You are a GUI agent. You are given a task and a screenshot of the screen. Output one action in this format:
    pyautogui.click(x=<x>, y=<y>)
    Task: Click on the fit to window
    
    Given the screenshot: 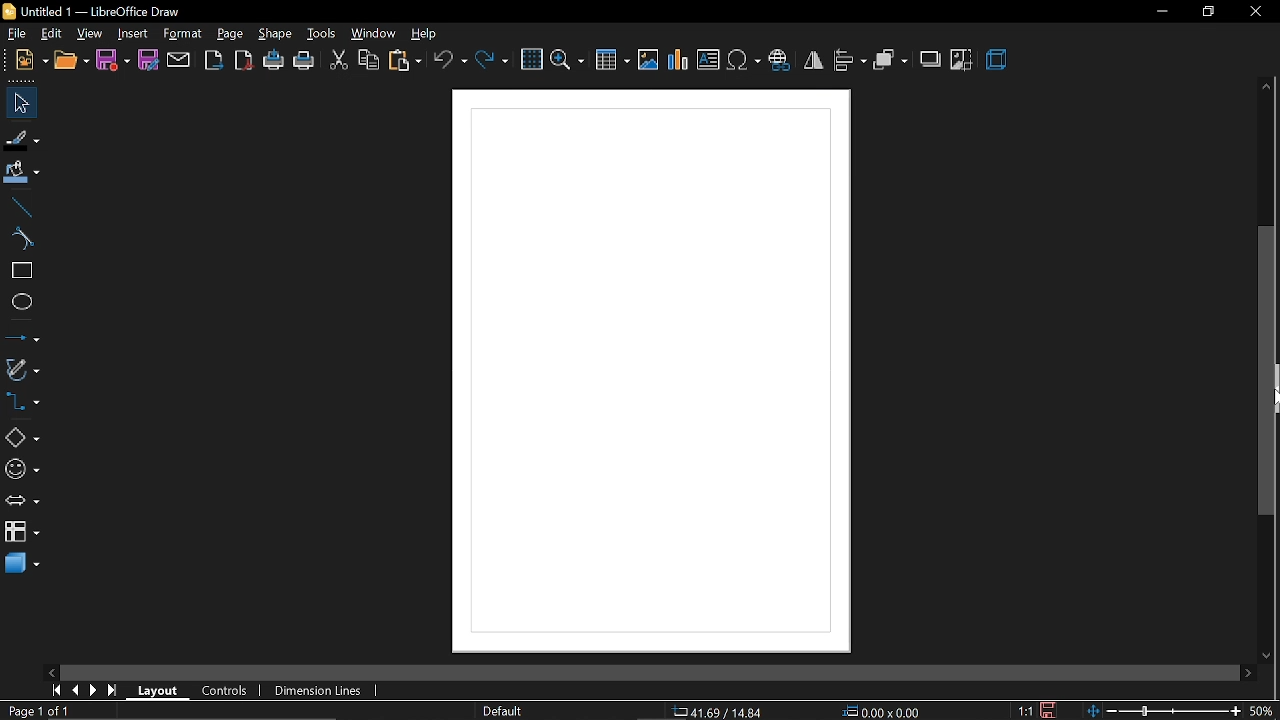 What is the action you would take?
    pyautogui.click(x=1092, y=711)
    